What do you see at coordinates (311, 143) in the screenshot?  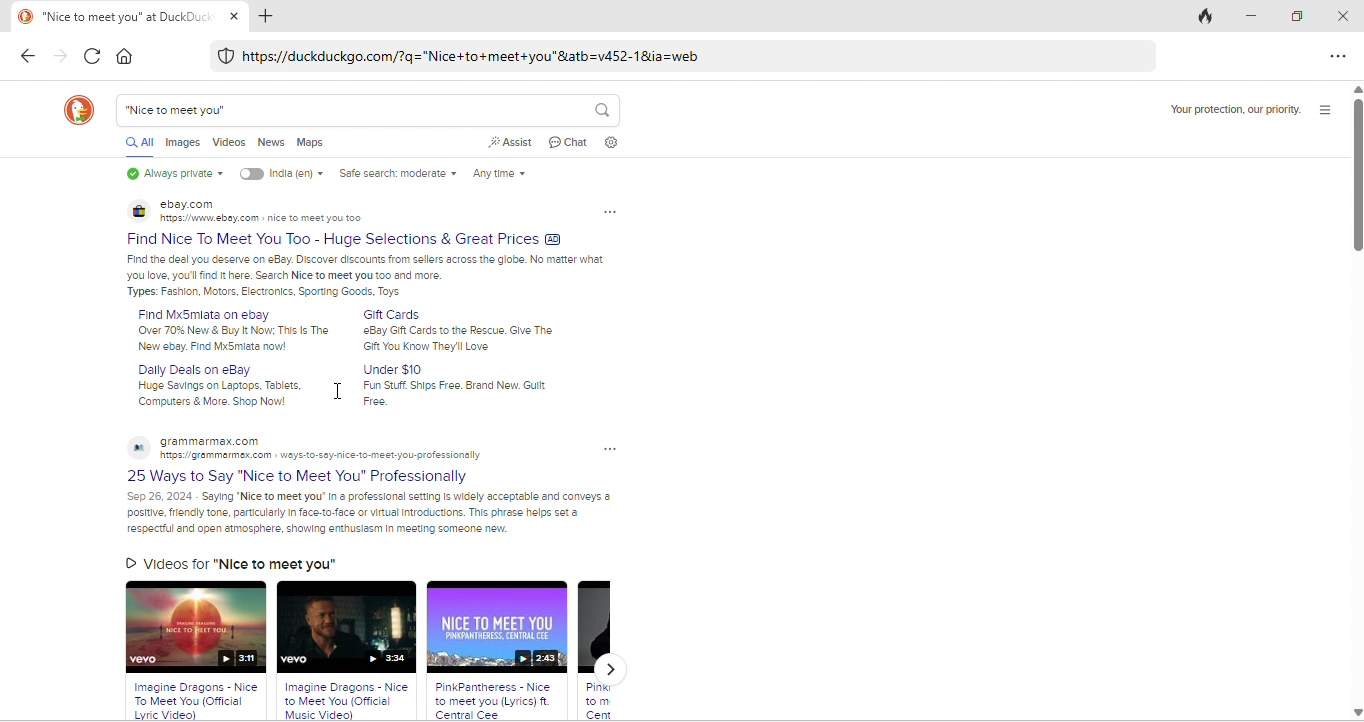 I see `maps` at bounding box center [311, 143].